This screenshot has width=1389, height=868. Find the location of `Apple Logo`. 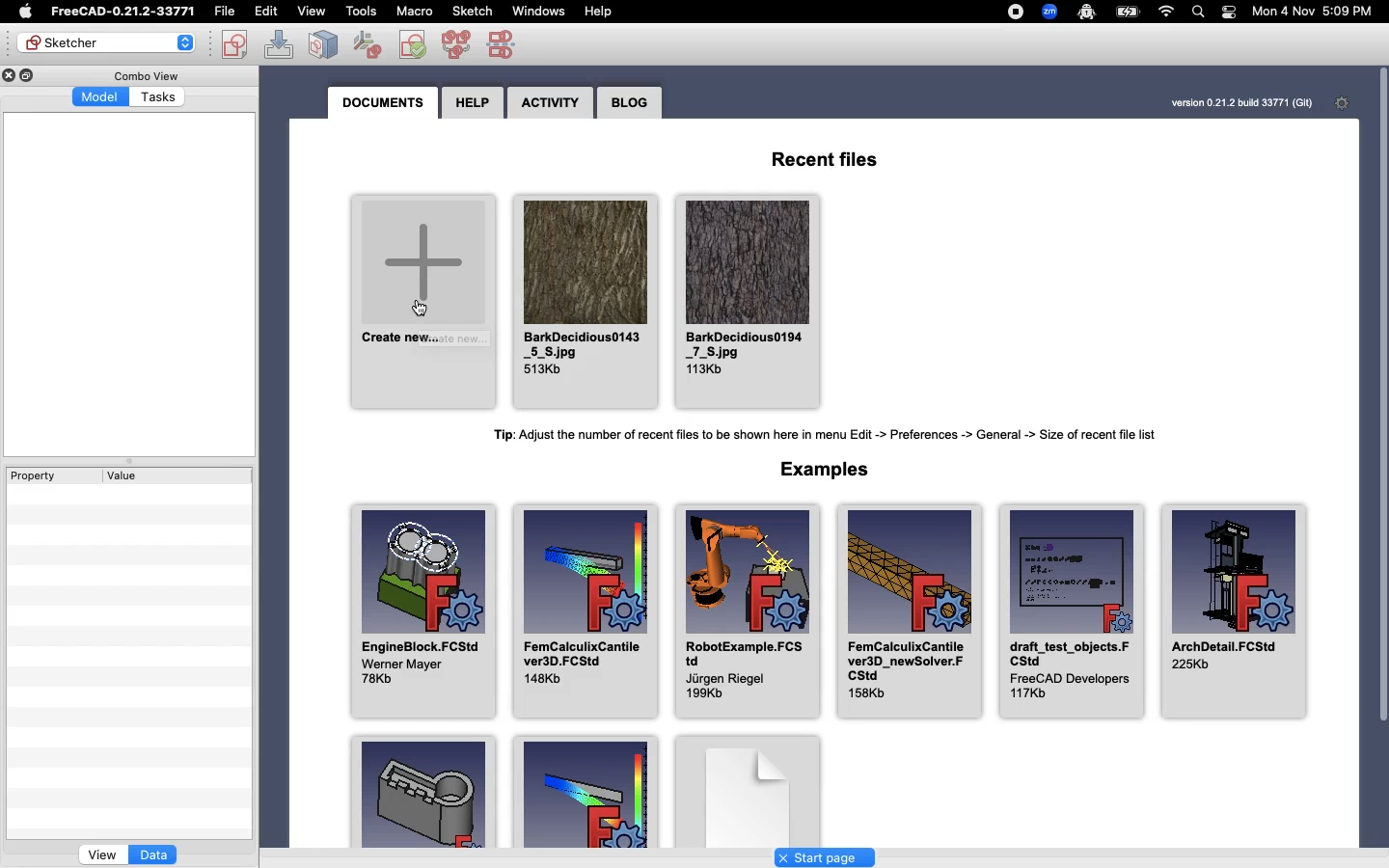

Apple Logo is located at coordinates (23, 12).